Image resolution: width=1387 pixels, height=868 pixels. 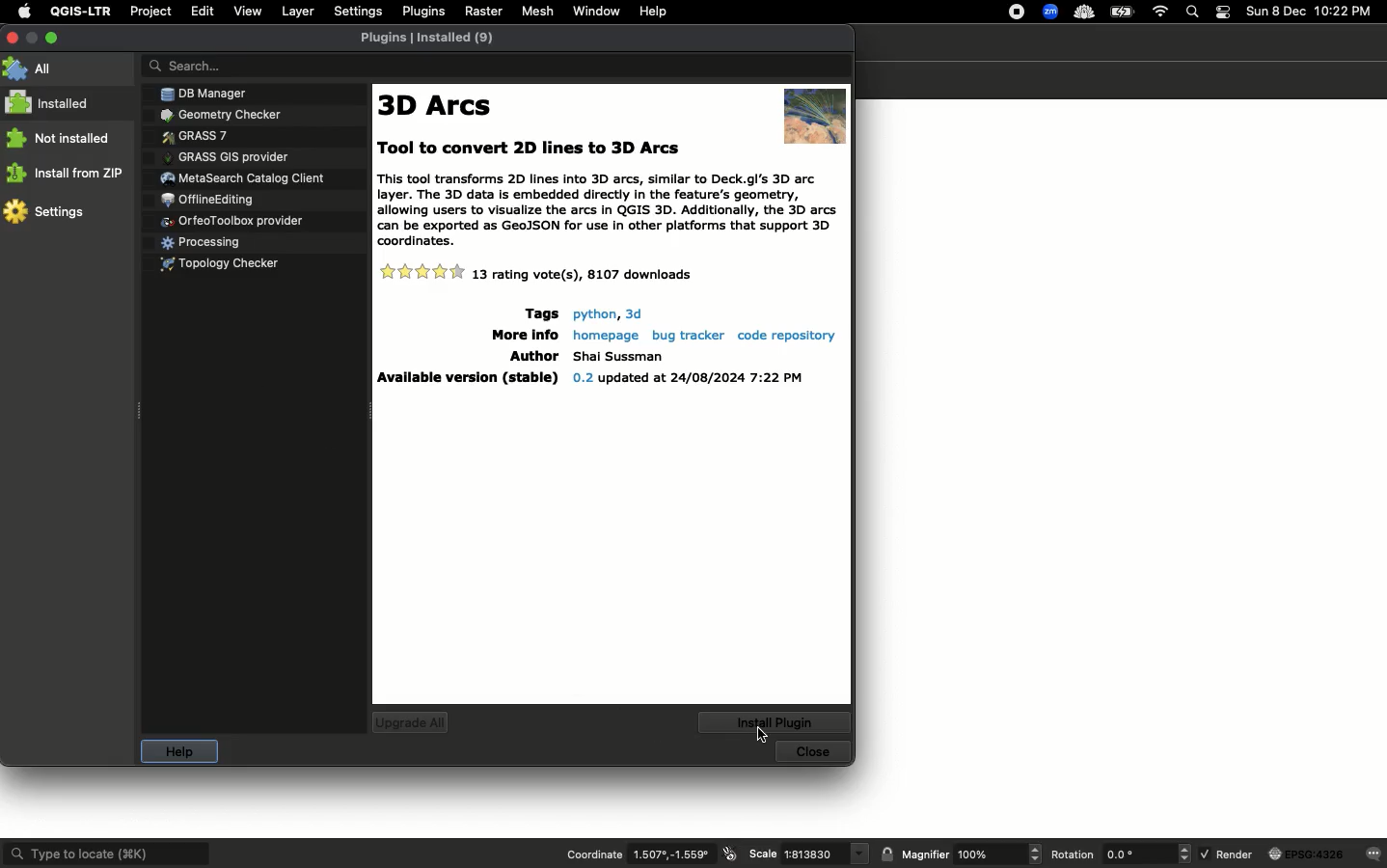 What do you see at coordinates (788, 335) in the screenshot?
I see `code repository` at bounding box center [788, 335].